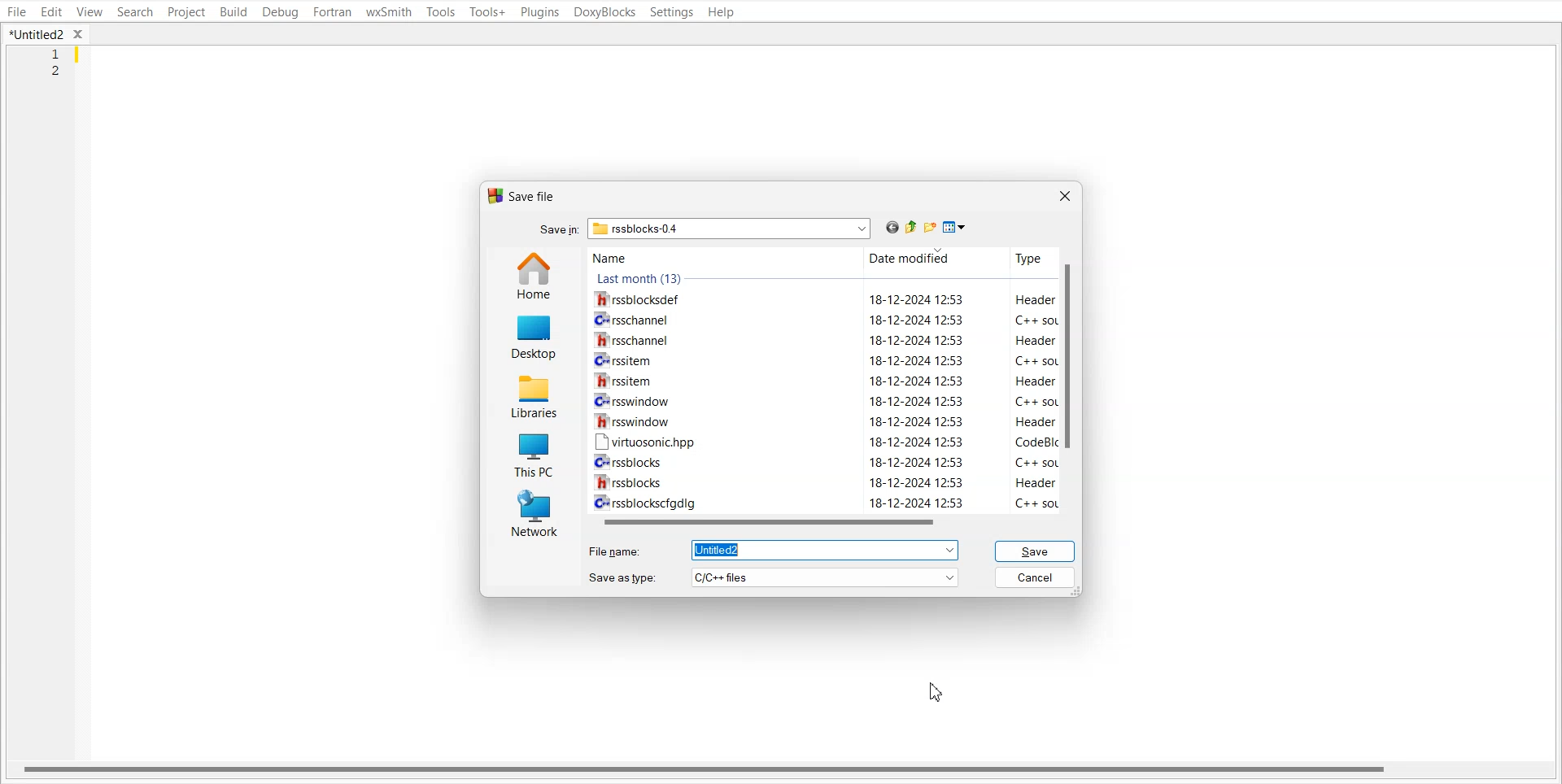  I want to click on Close, so click(1065, 194).